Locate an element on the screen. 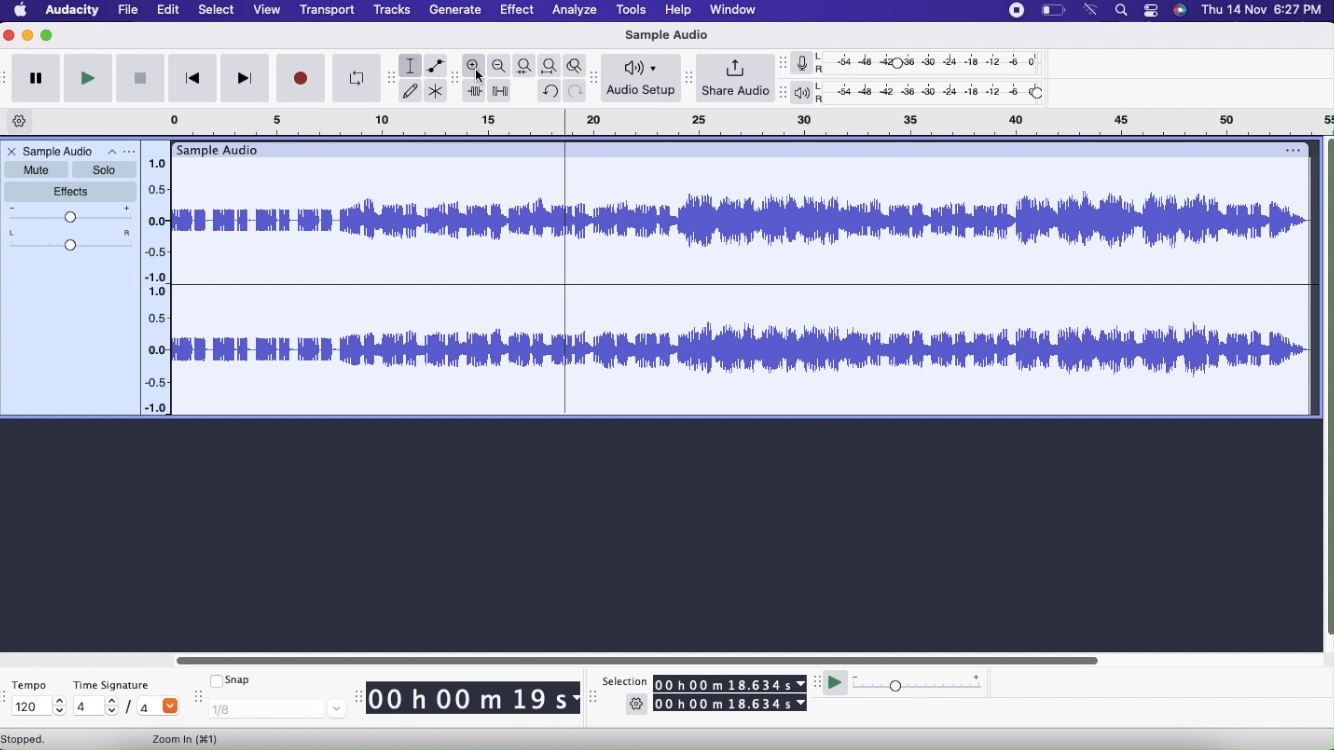  Minimize is located at coordinates (29, 37).